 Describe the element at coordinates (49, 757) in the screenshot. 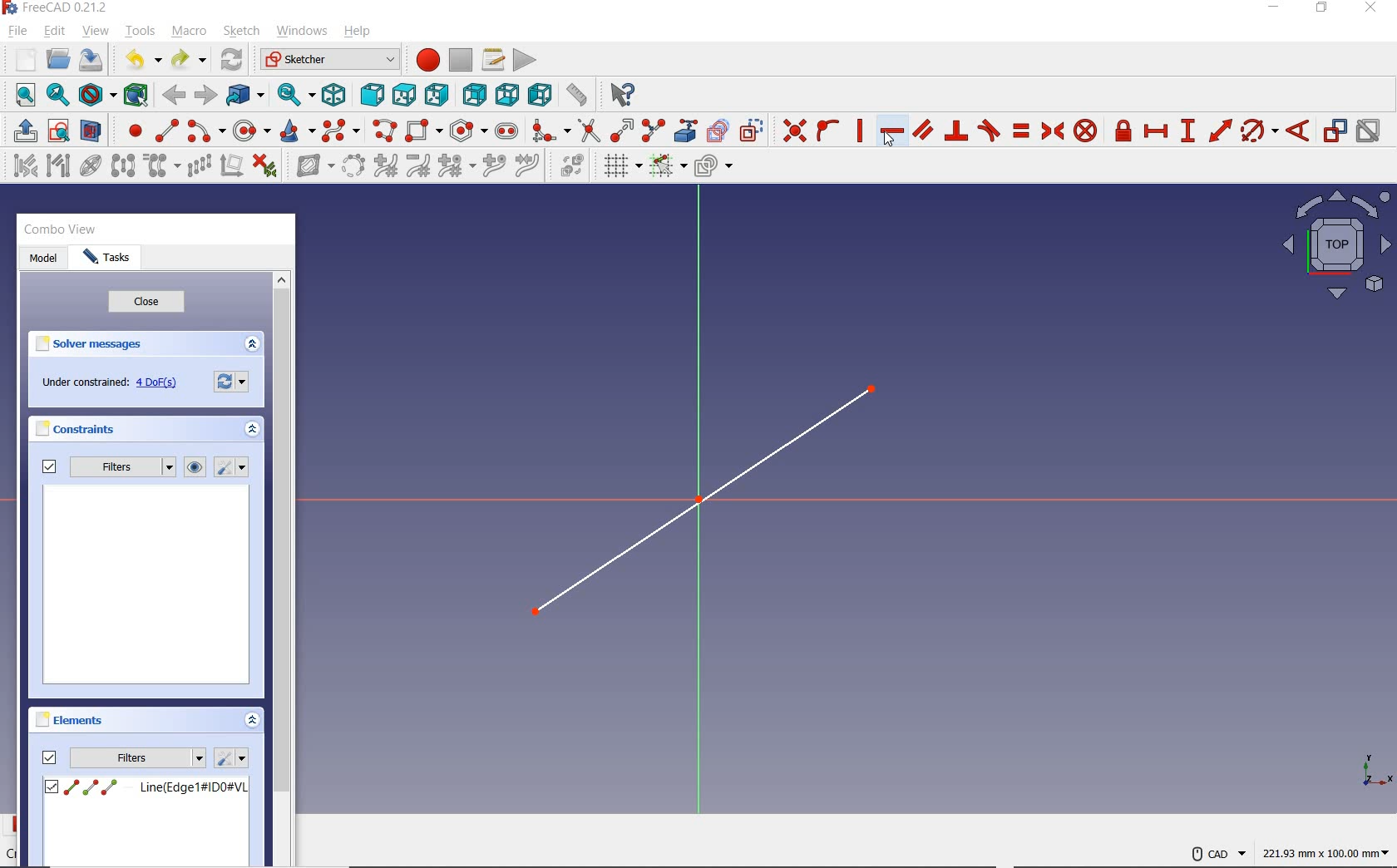

I see `CHECK TO TOGGLE FILTERS` at that location.